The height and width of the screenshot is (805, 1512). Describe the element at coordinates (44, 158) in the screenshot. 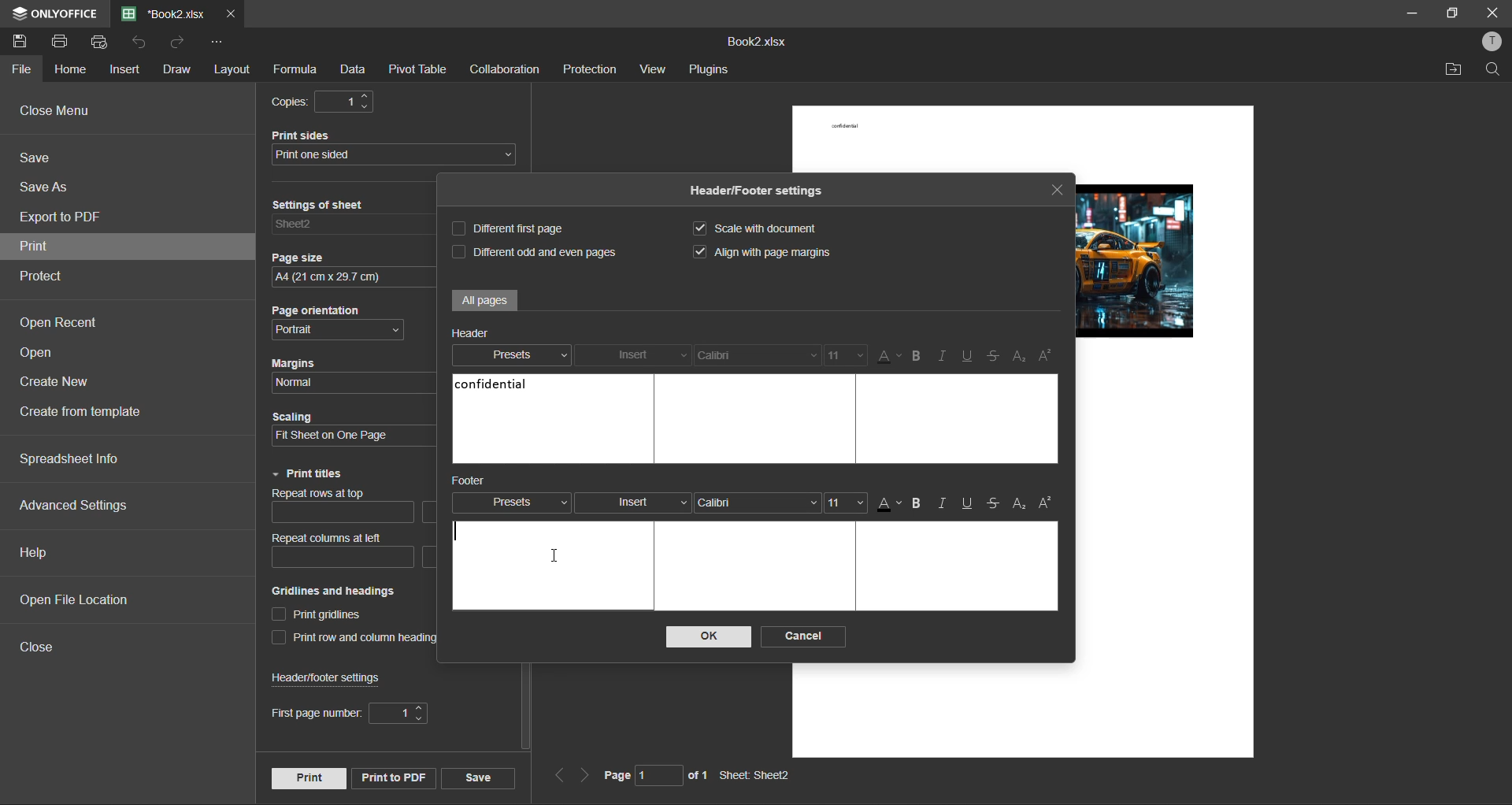

I see `save` at that location.